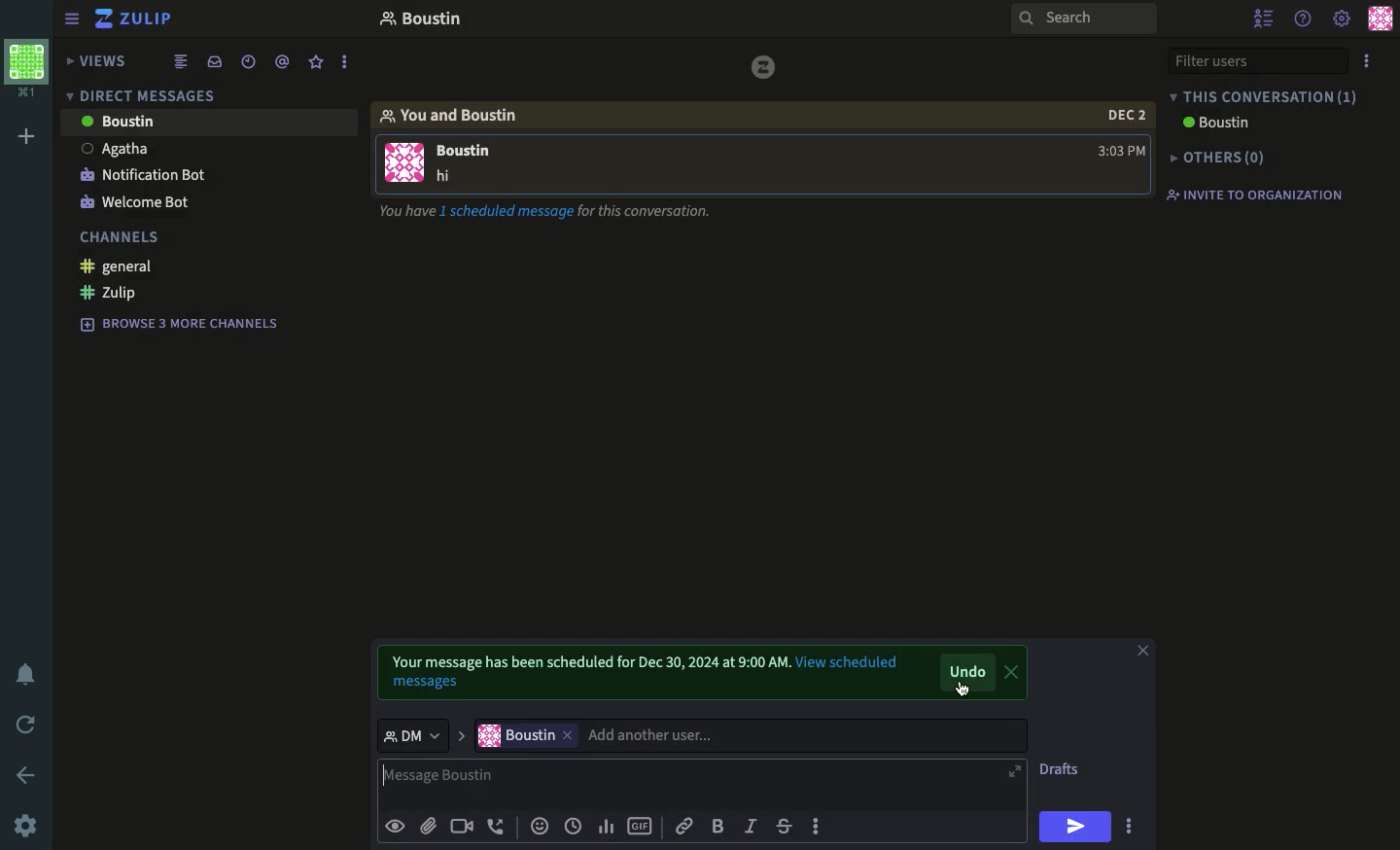 The image size is (1400, 850). I want to click on undo, so click(968, 673).